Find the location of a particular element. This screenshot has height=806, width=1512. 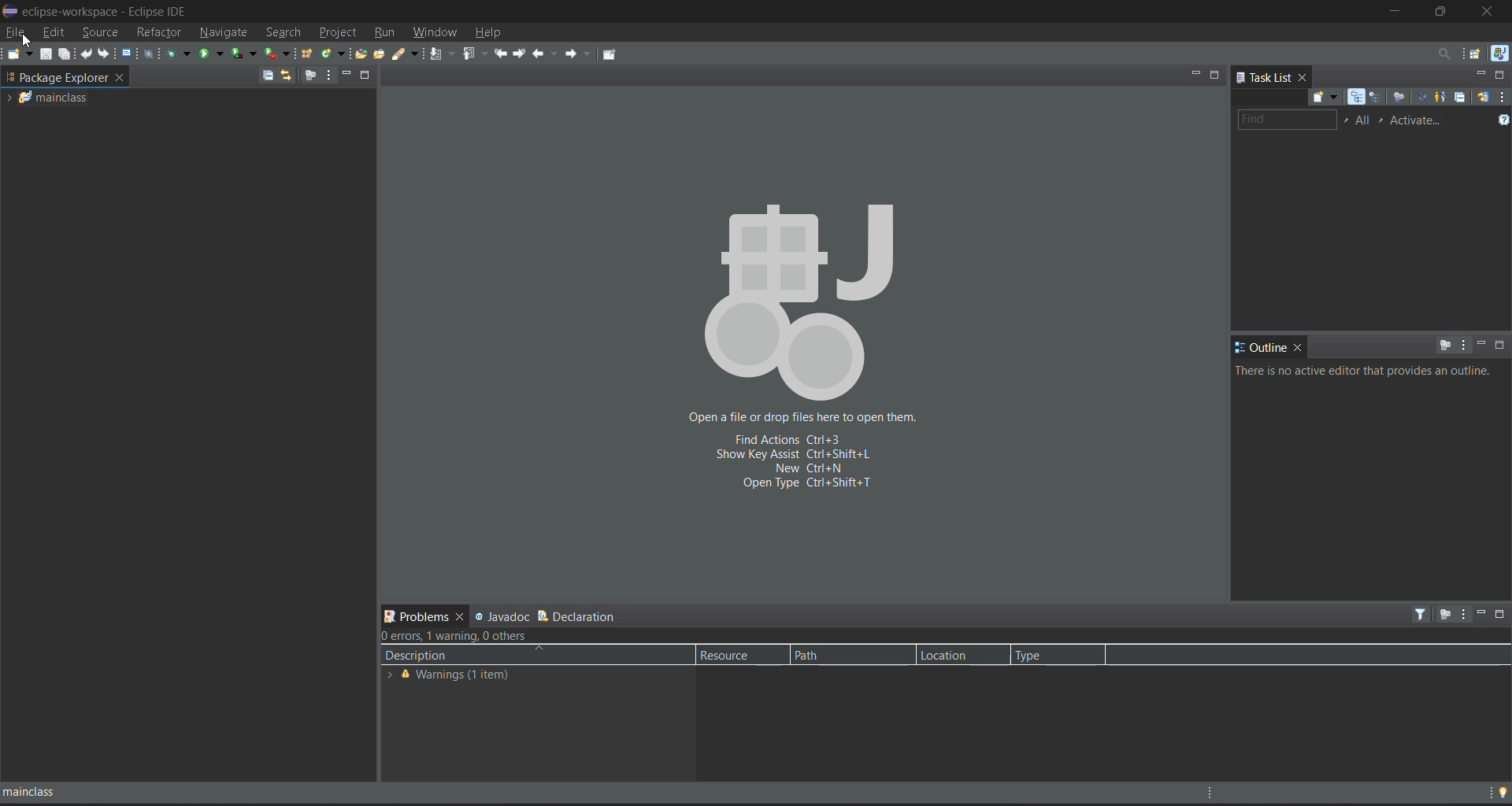

mainclass is located at coordinates (77, 790).